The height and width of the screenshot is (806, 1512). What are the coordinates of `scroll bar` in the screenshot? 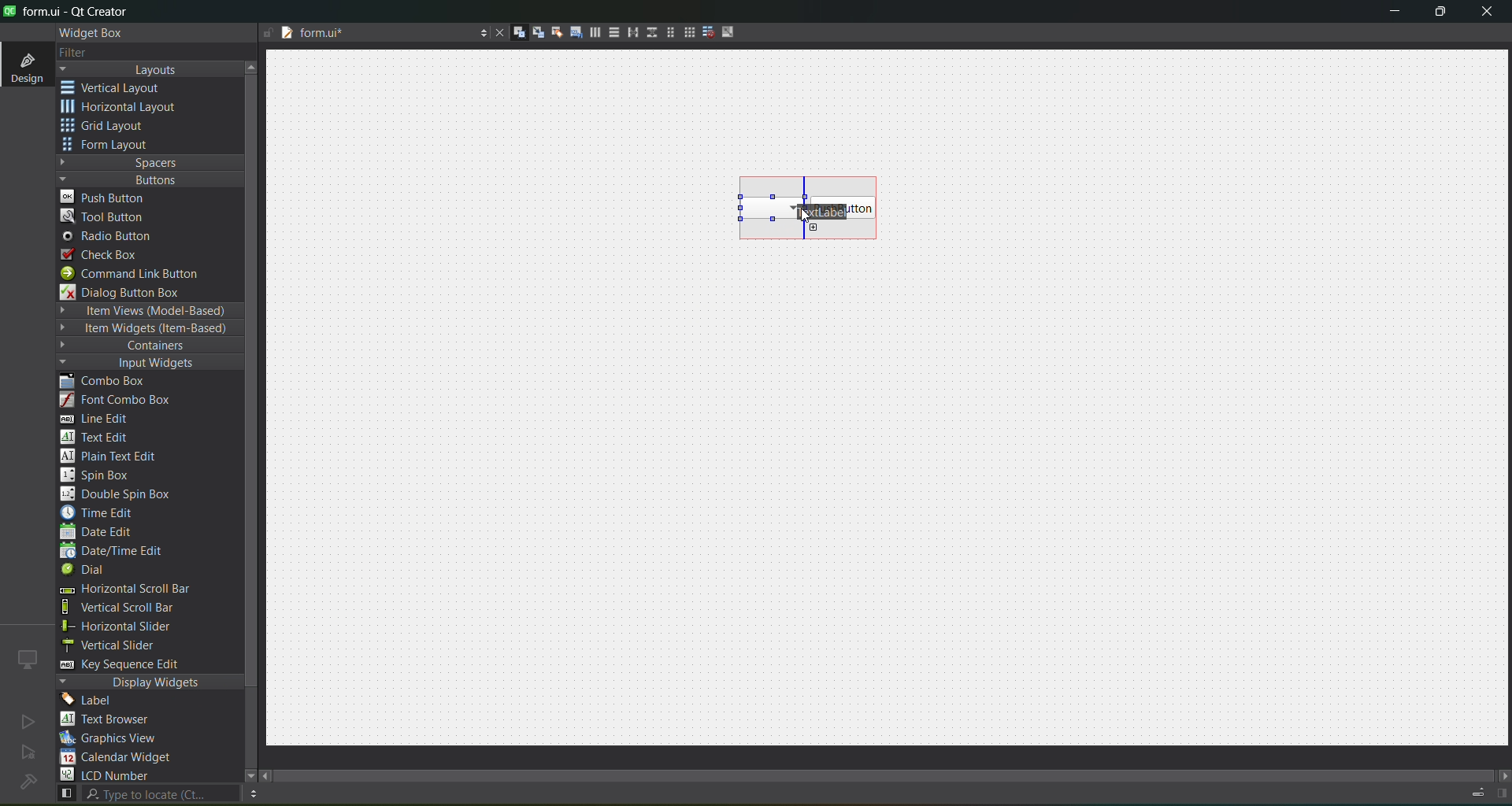 It's located at (896, 771).